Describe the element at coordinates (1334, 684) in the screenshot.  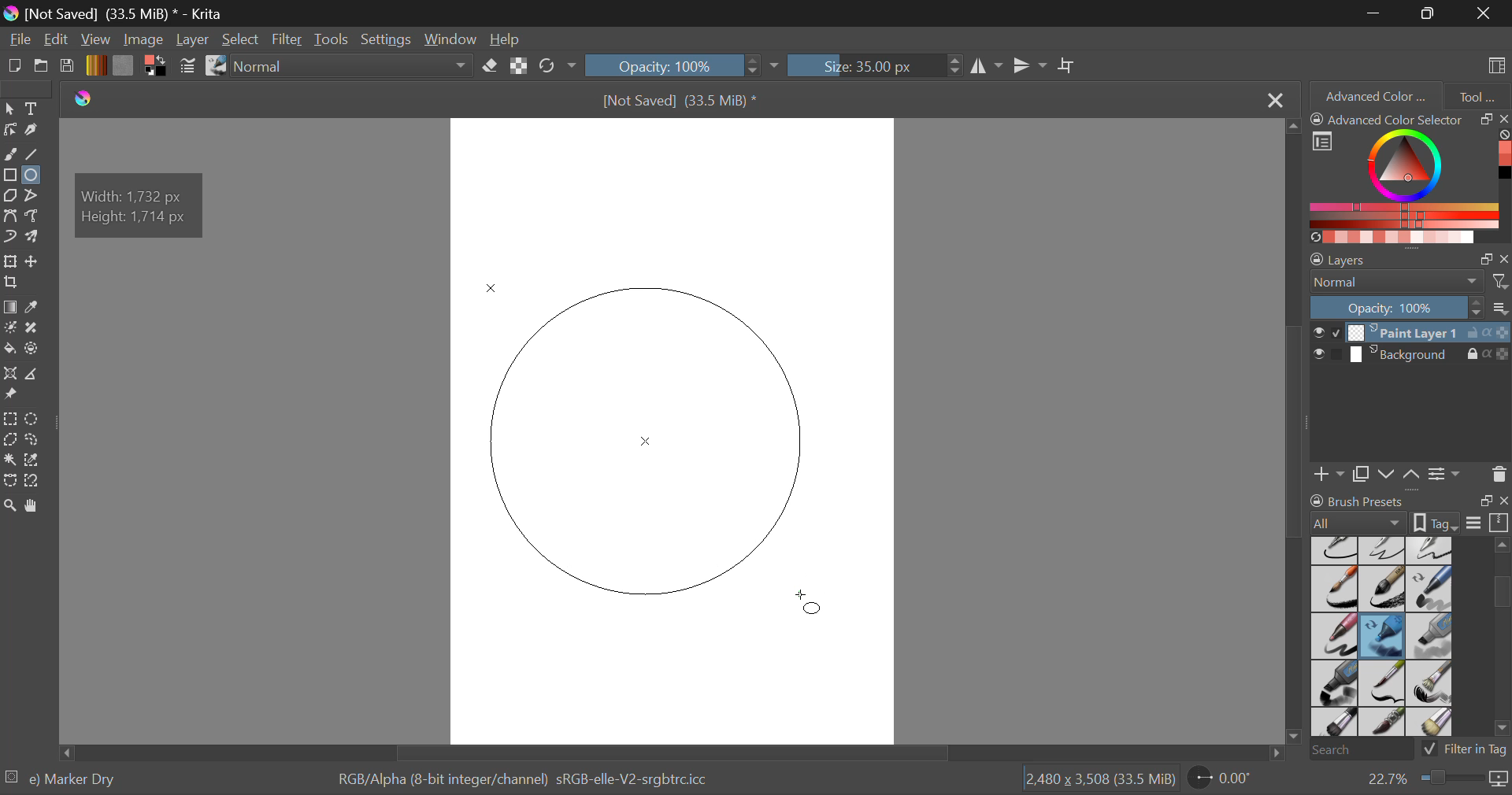
I see `Marker Plain` at that location.